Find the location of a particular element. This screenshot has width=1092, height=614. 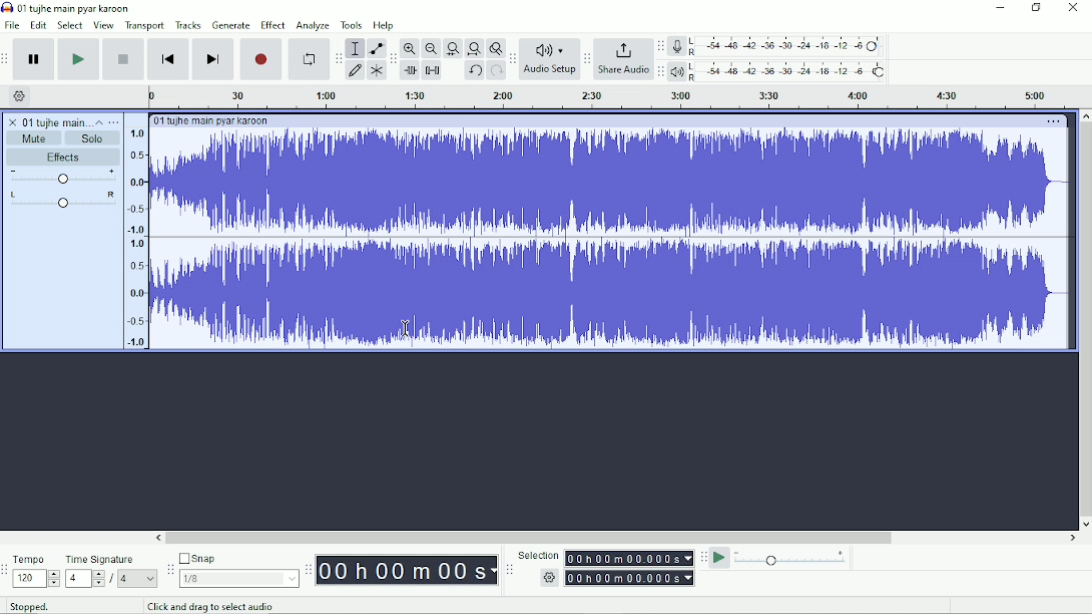

Fit project to width is located at coordinates (475, 48).